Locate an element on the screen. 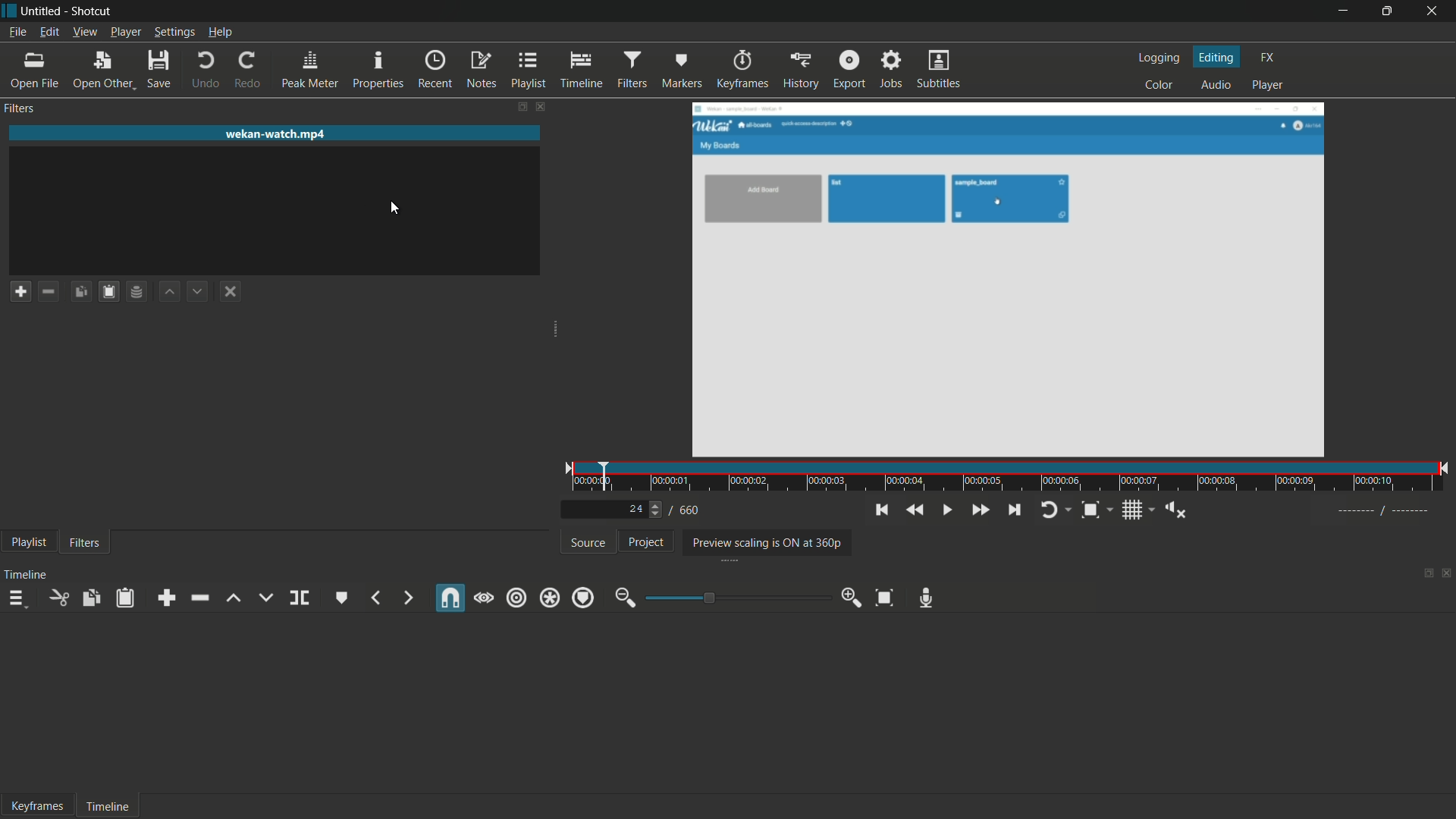 Image resolution: width=1456 pixels, height=819 pixels. ripple is located at coordinates (515, 598).